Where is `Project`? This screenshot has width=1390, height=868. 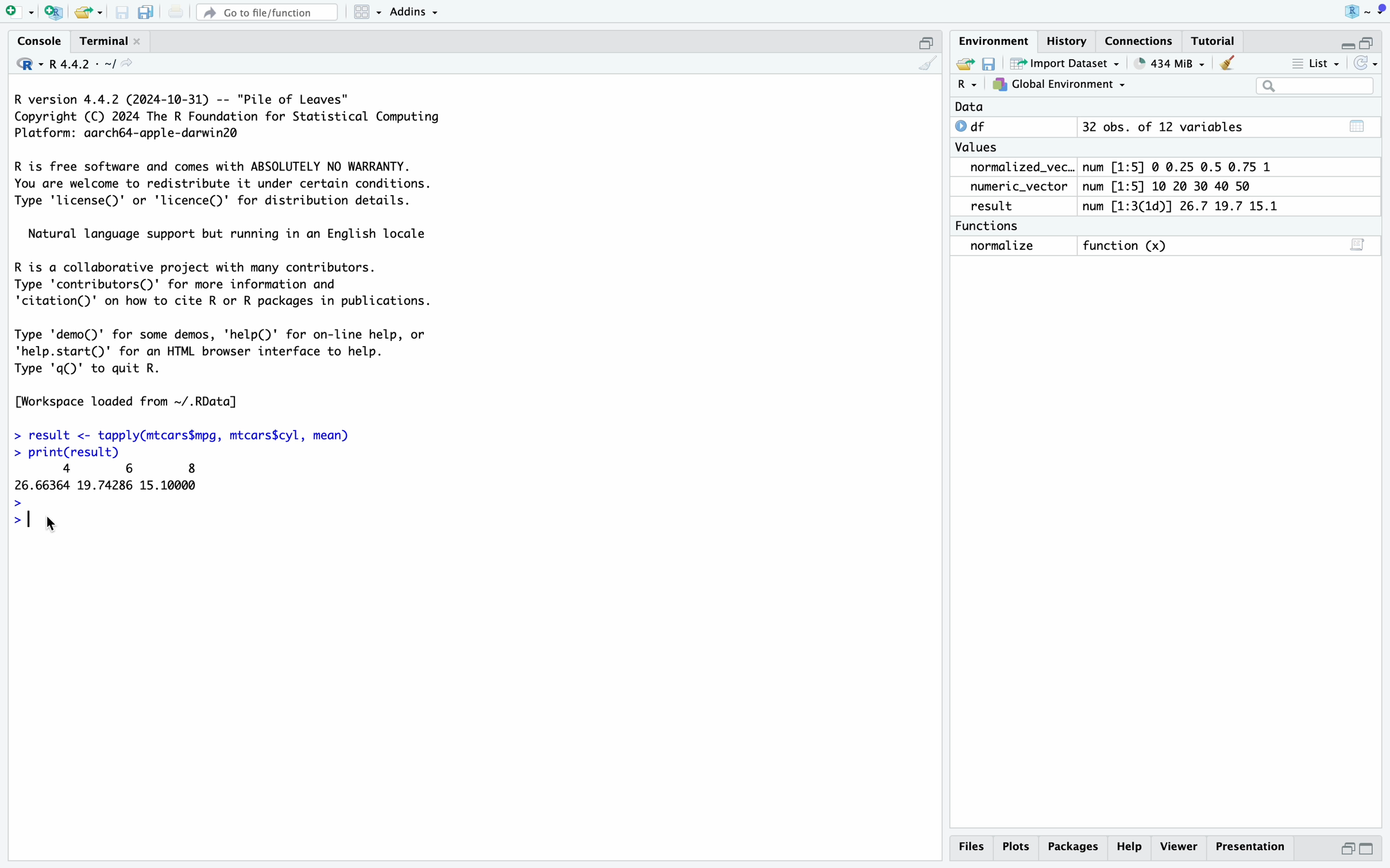
Project is located at coordinates (1365, 11).